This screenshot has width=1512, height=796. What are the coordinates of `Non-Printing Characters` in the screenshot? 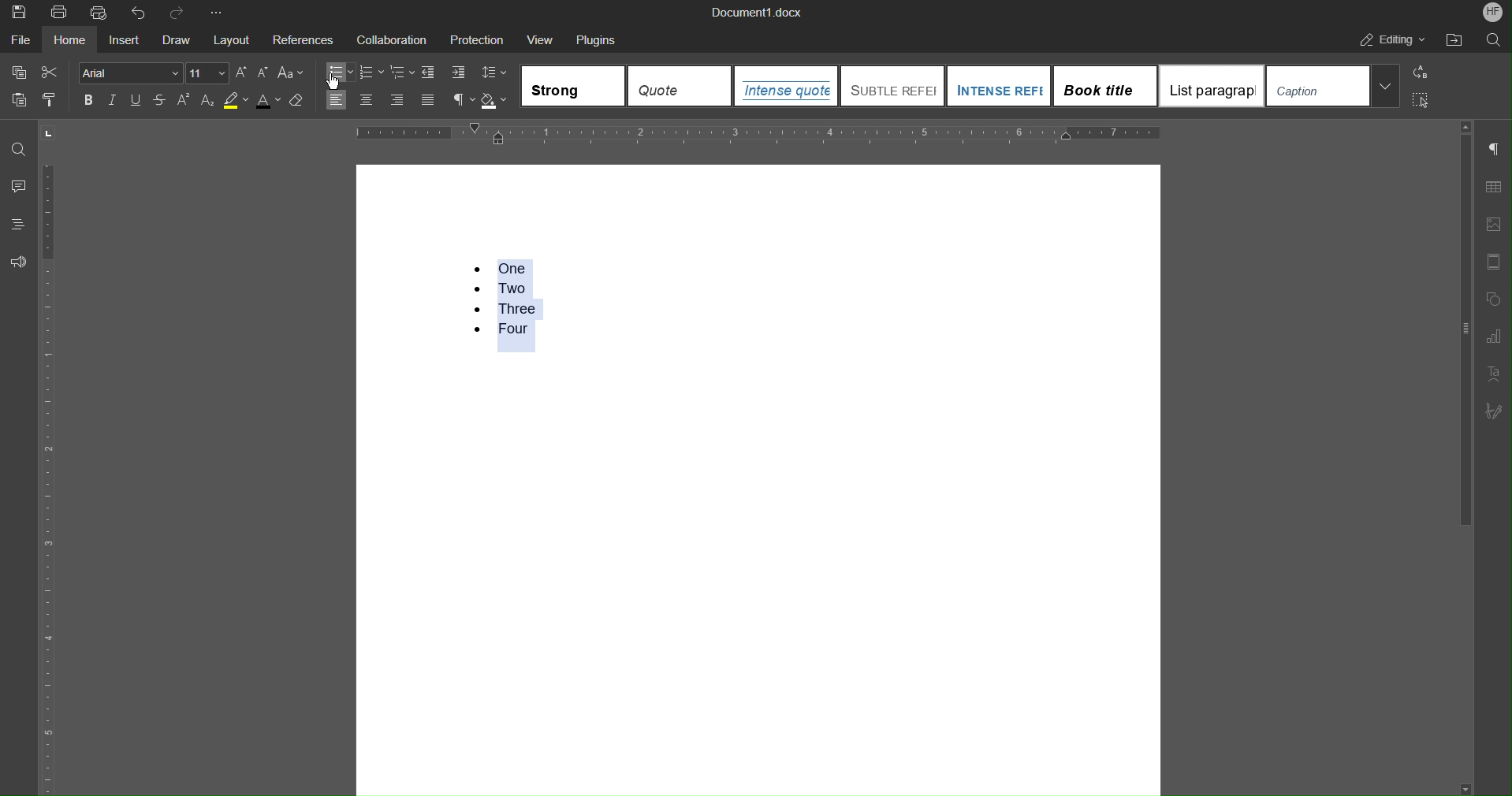 It's located at (463, 101).